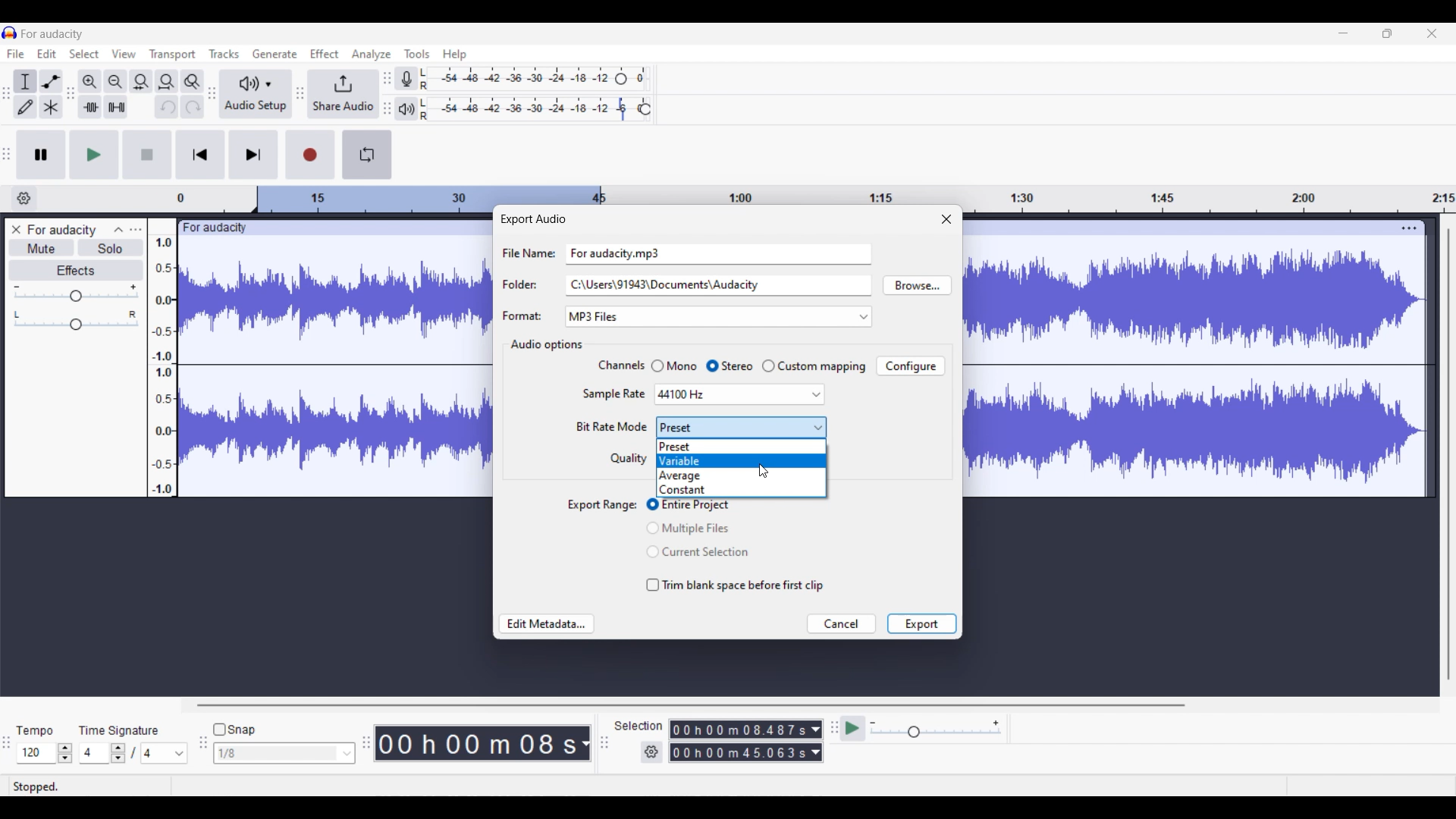 The width and height of the screenshot is (1456, 819). What do you see at coordinates (119, 230) in the screenshot?
I see `Collapse` at bounding box center [119, 230].